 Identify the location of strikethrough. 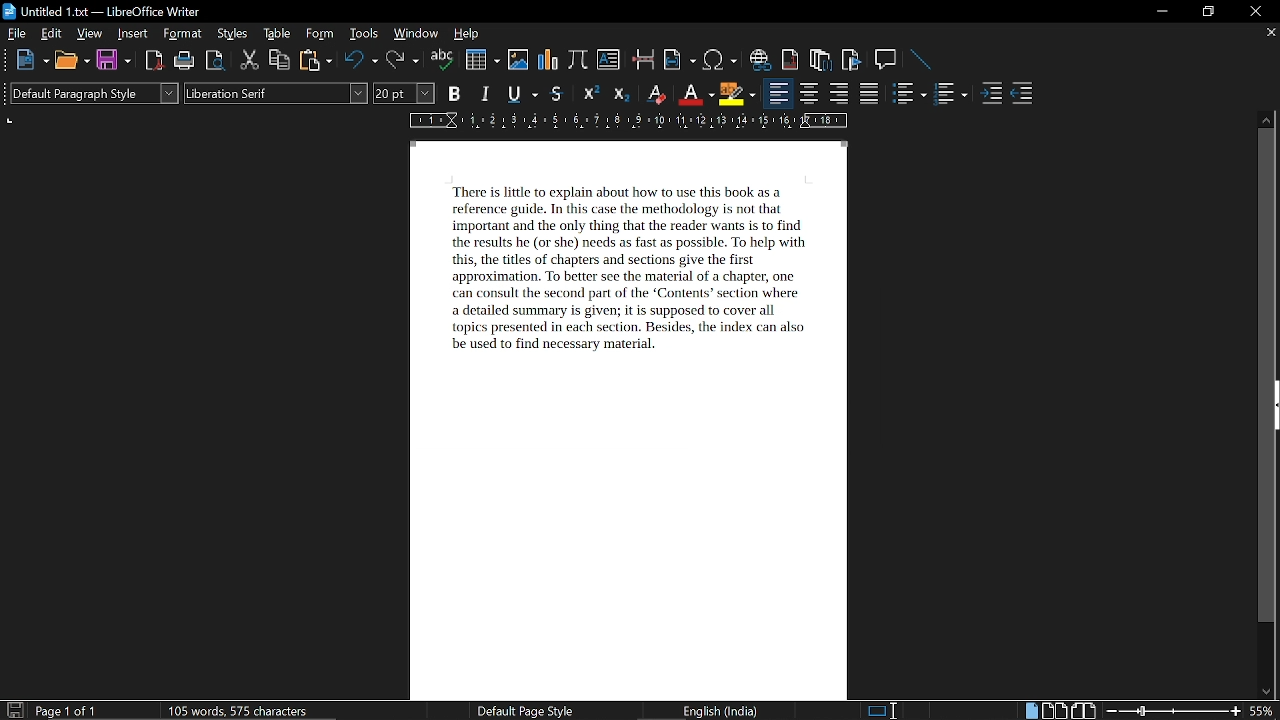
(556, 94).